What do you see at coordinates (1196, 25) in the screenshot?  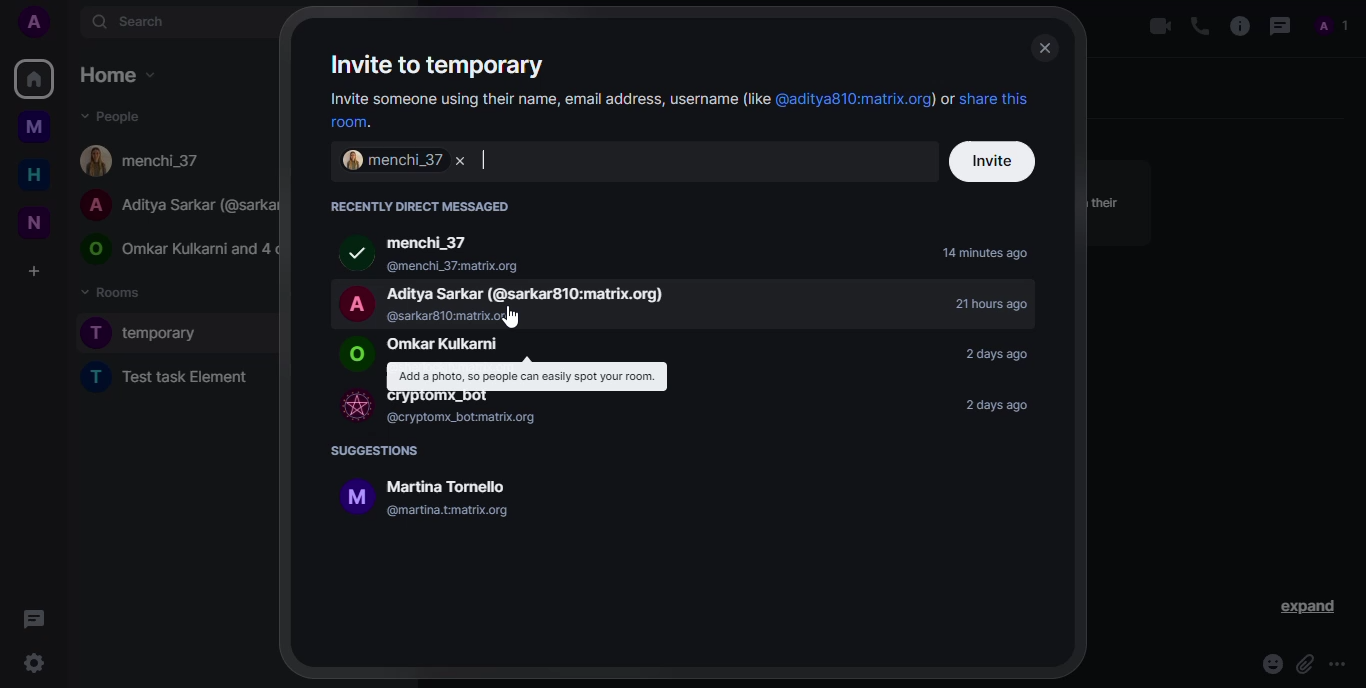 I see `voice call` at bounding box center [1196, 25].